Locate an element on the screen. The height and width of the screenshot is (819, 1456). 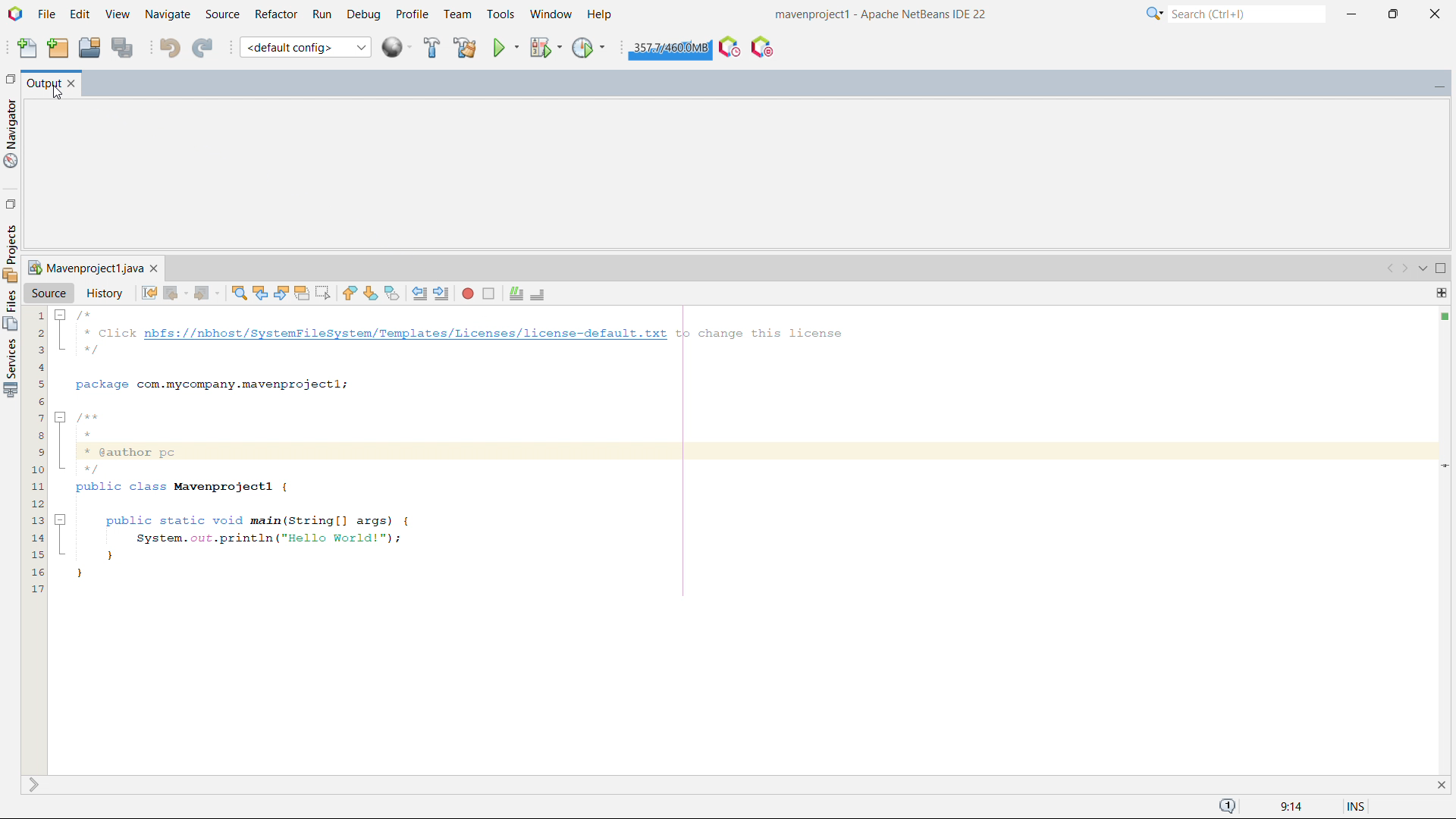
logo is located at coordinates (15, 14).